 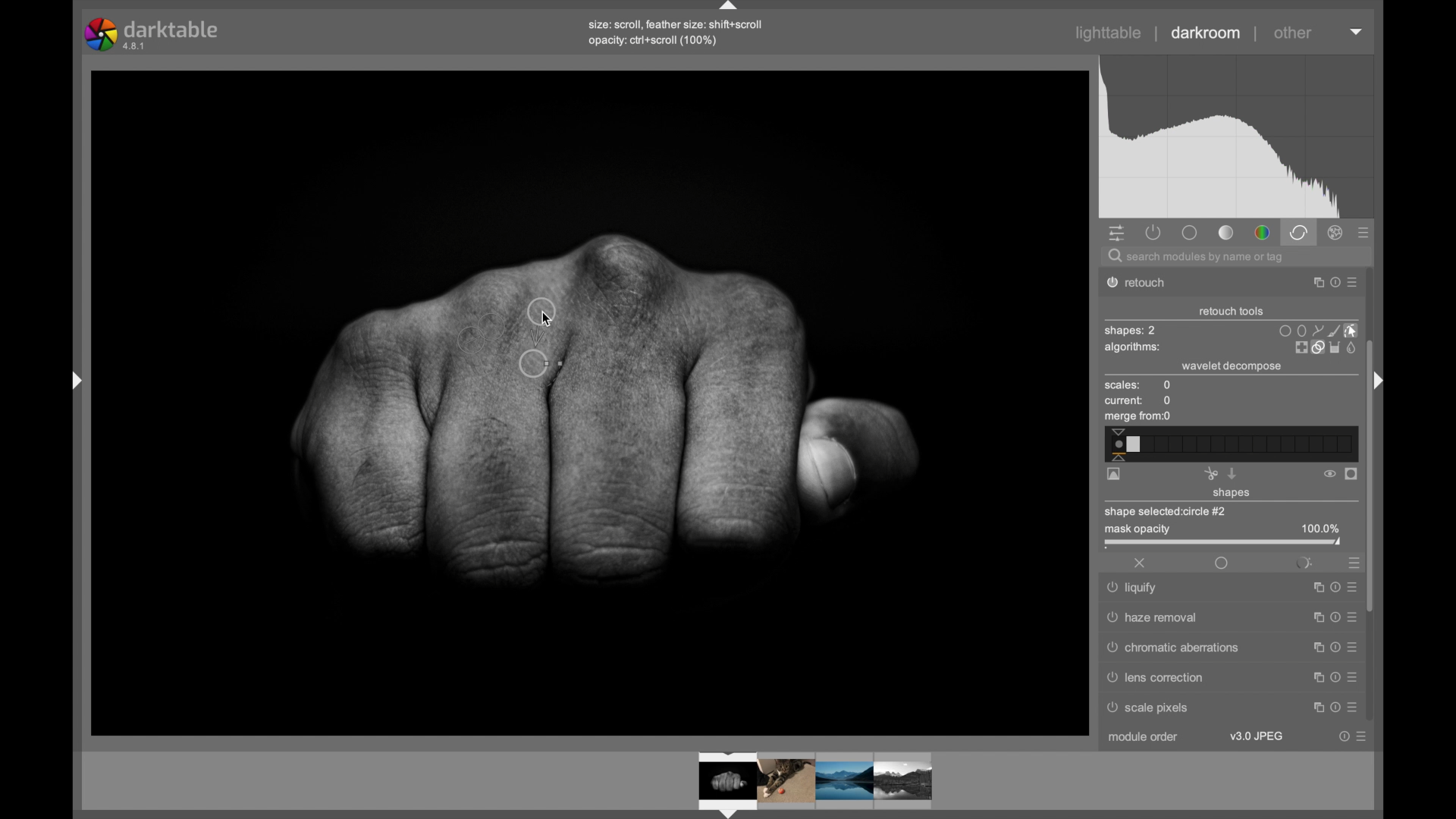 I want to click on display wavelet scale, so click(x=1114, y=475).